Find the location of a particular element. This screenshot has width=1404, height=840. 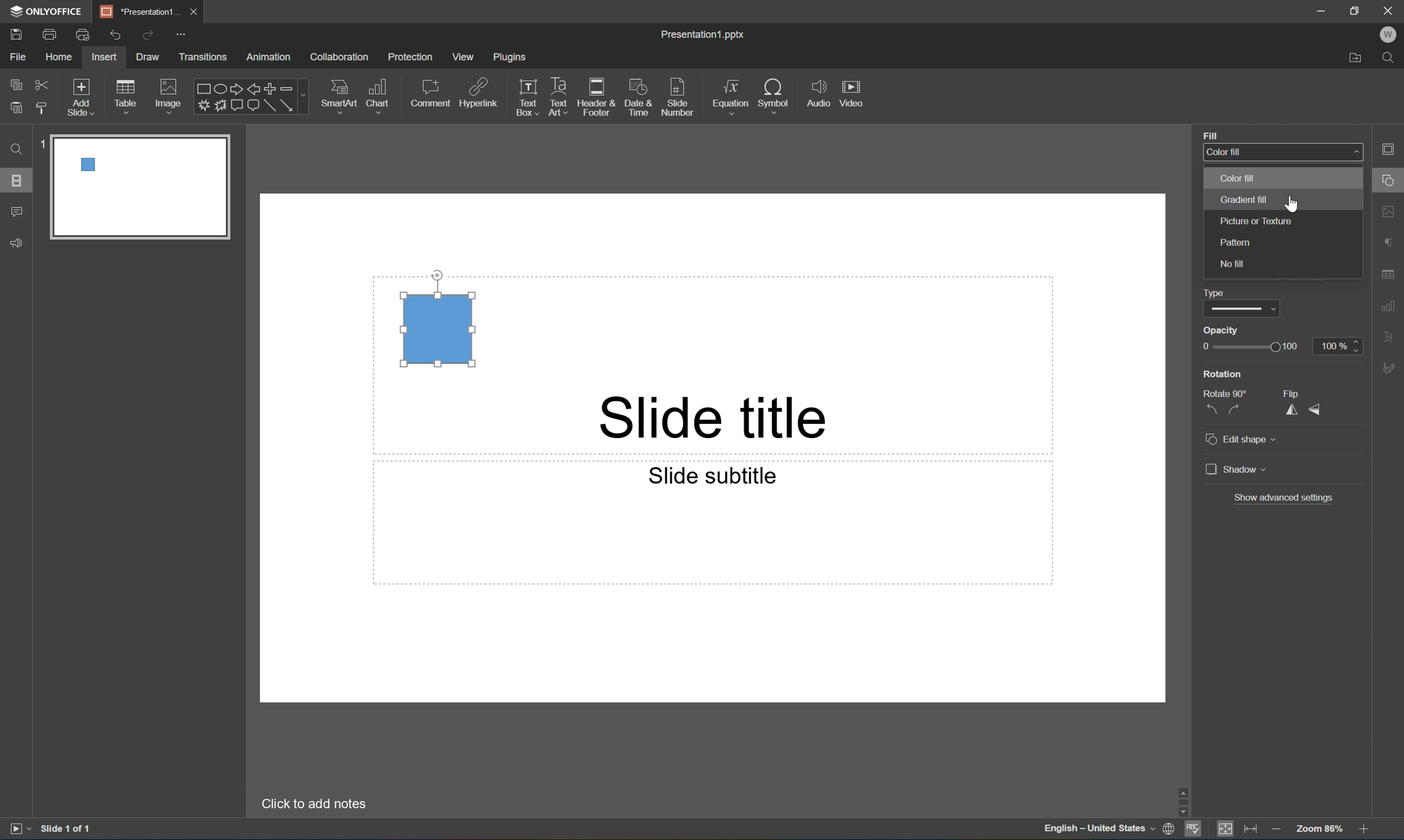

Text Box is located at coordinates (528, 98).